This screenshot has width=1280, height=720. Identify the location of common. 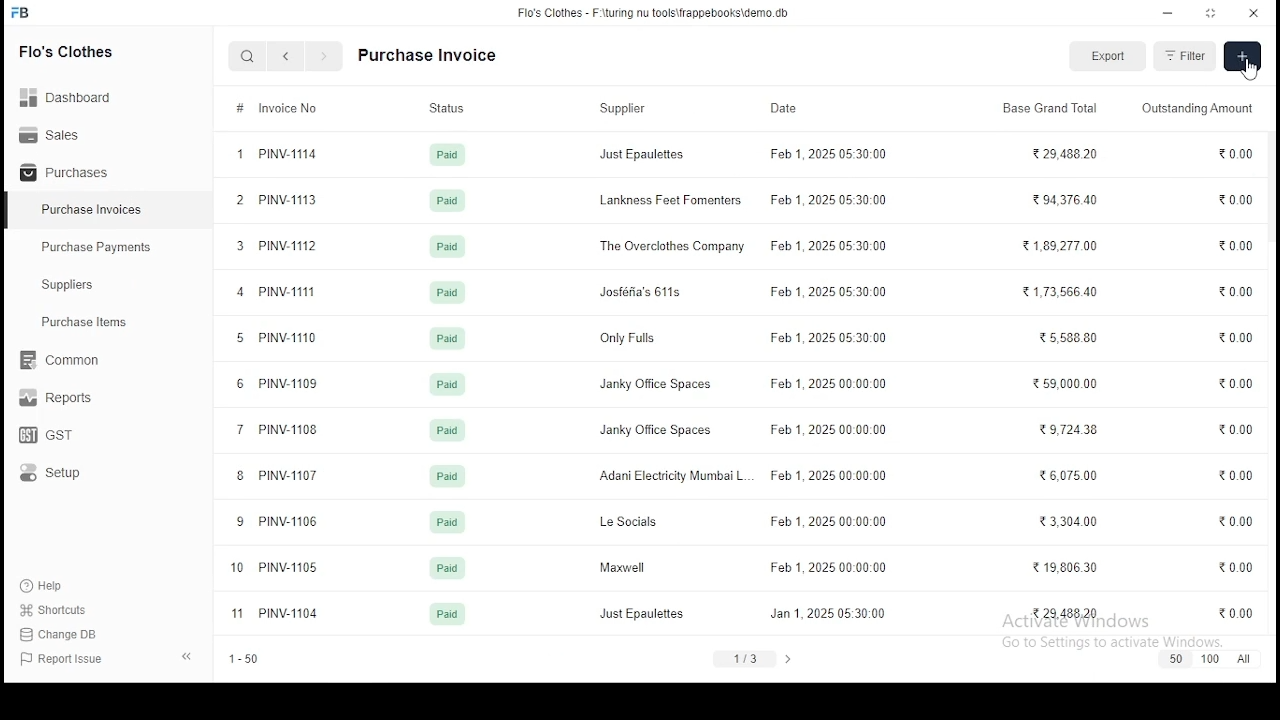
(65, 360).